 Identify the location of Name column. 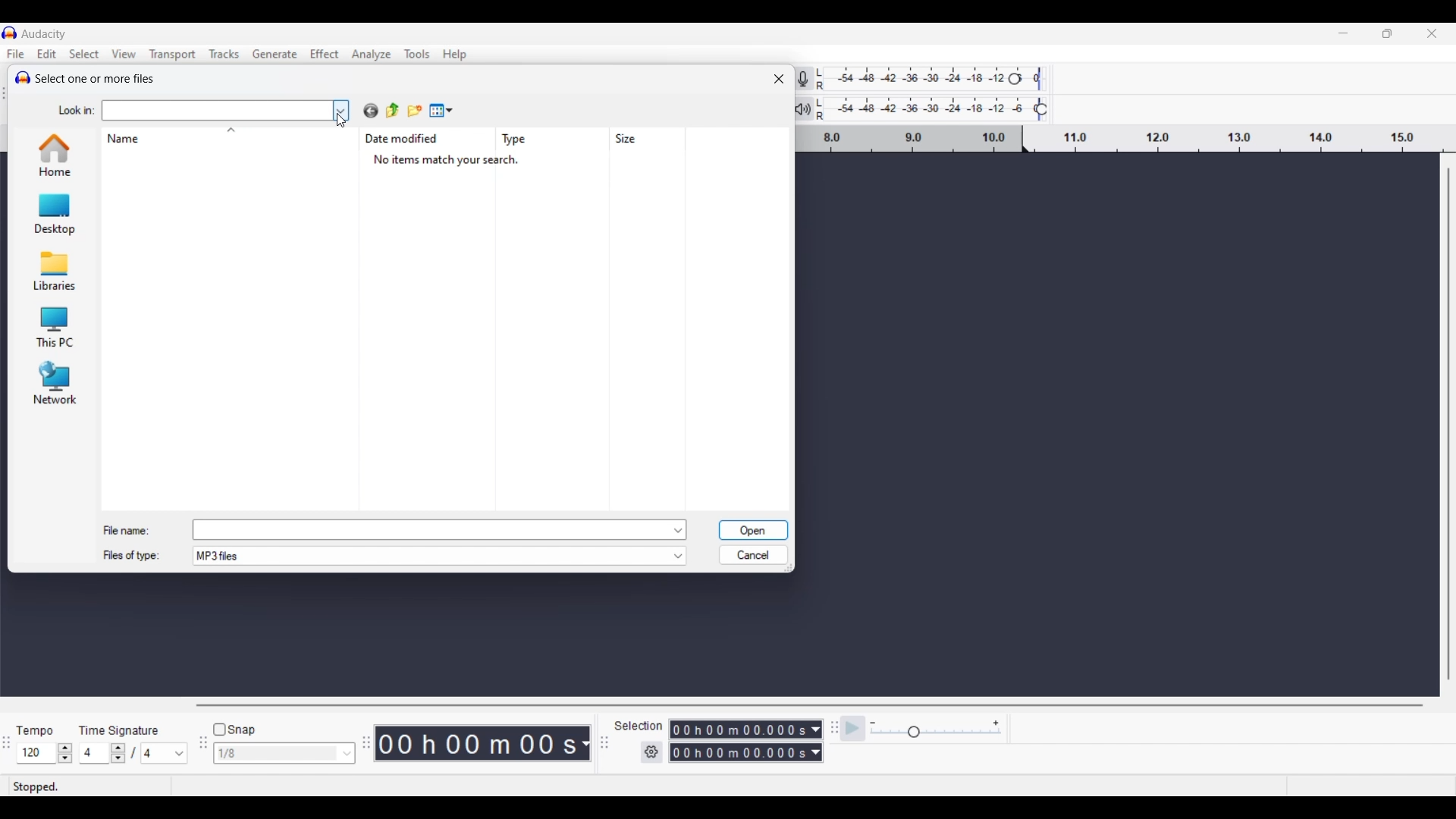
(127, 139).